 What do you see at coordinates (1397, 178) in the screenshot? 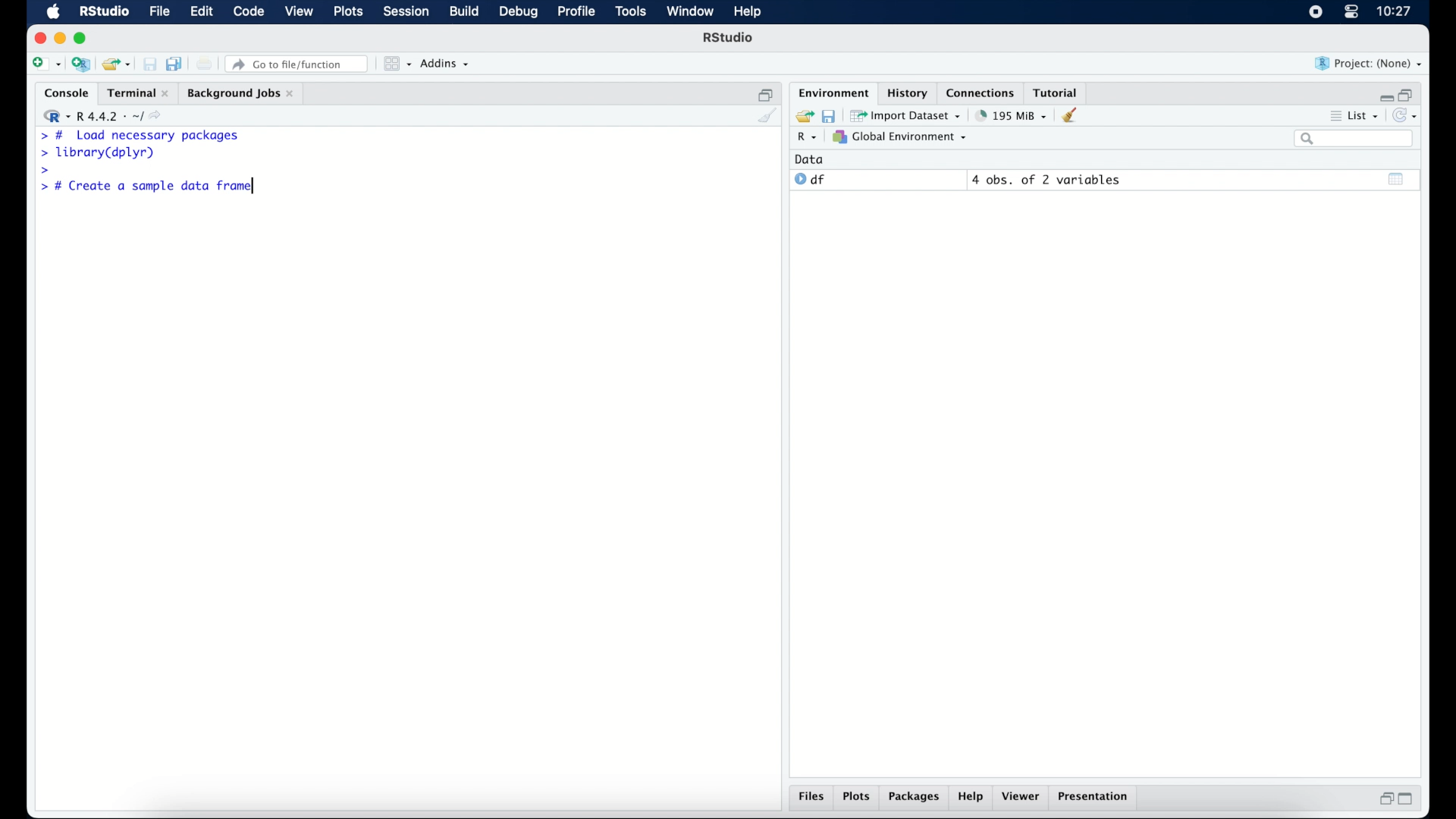
I see `show output  window` at bounding box center [1397, 178].